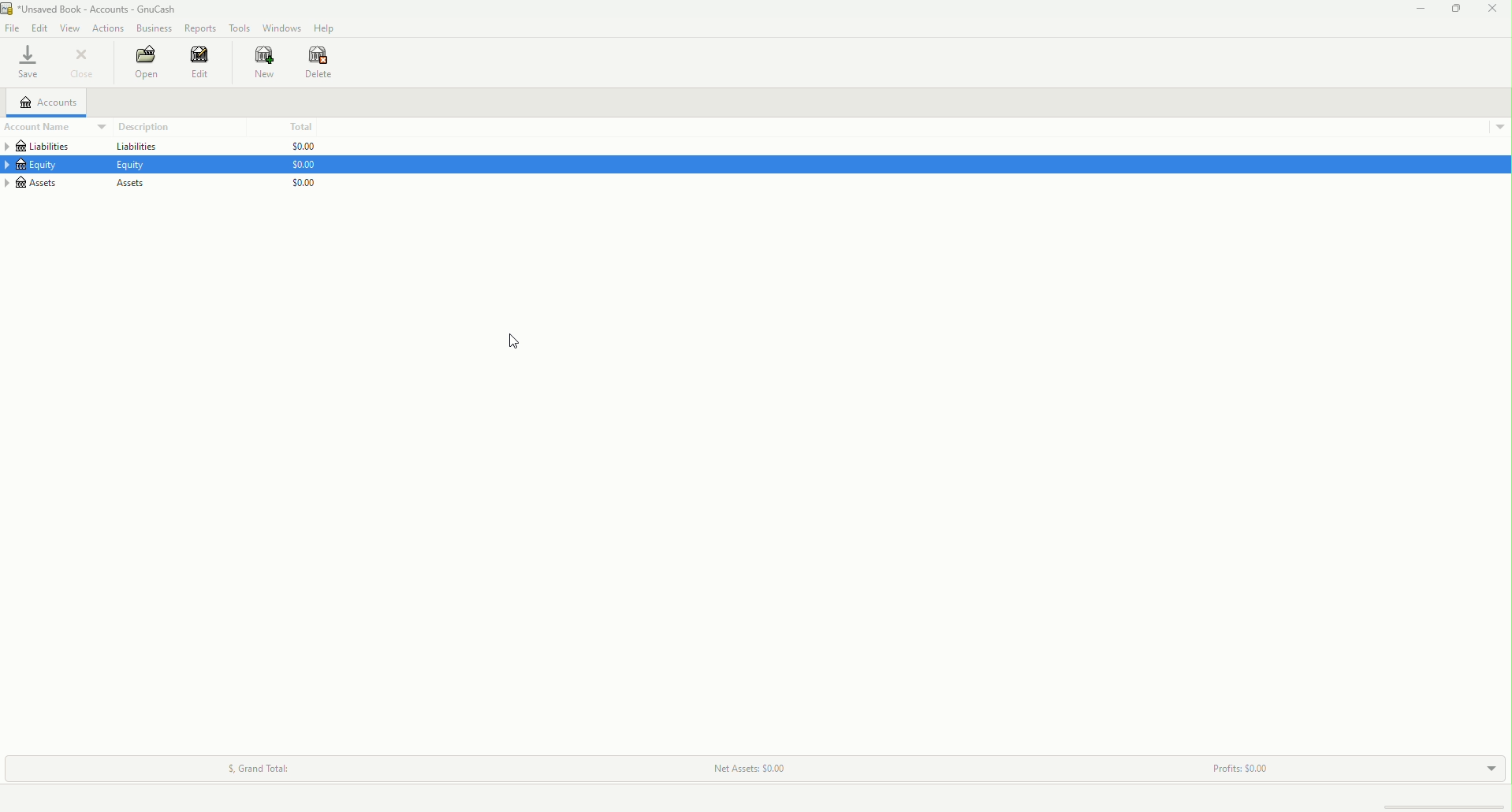 The height and width of the screenshot is (812, 1512). I want to click on Edit, so click(37, 26).